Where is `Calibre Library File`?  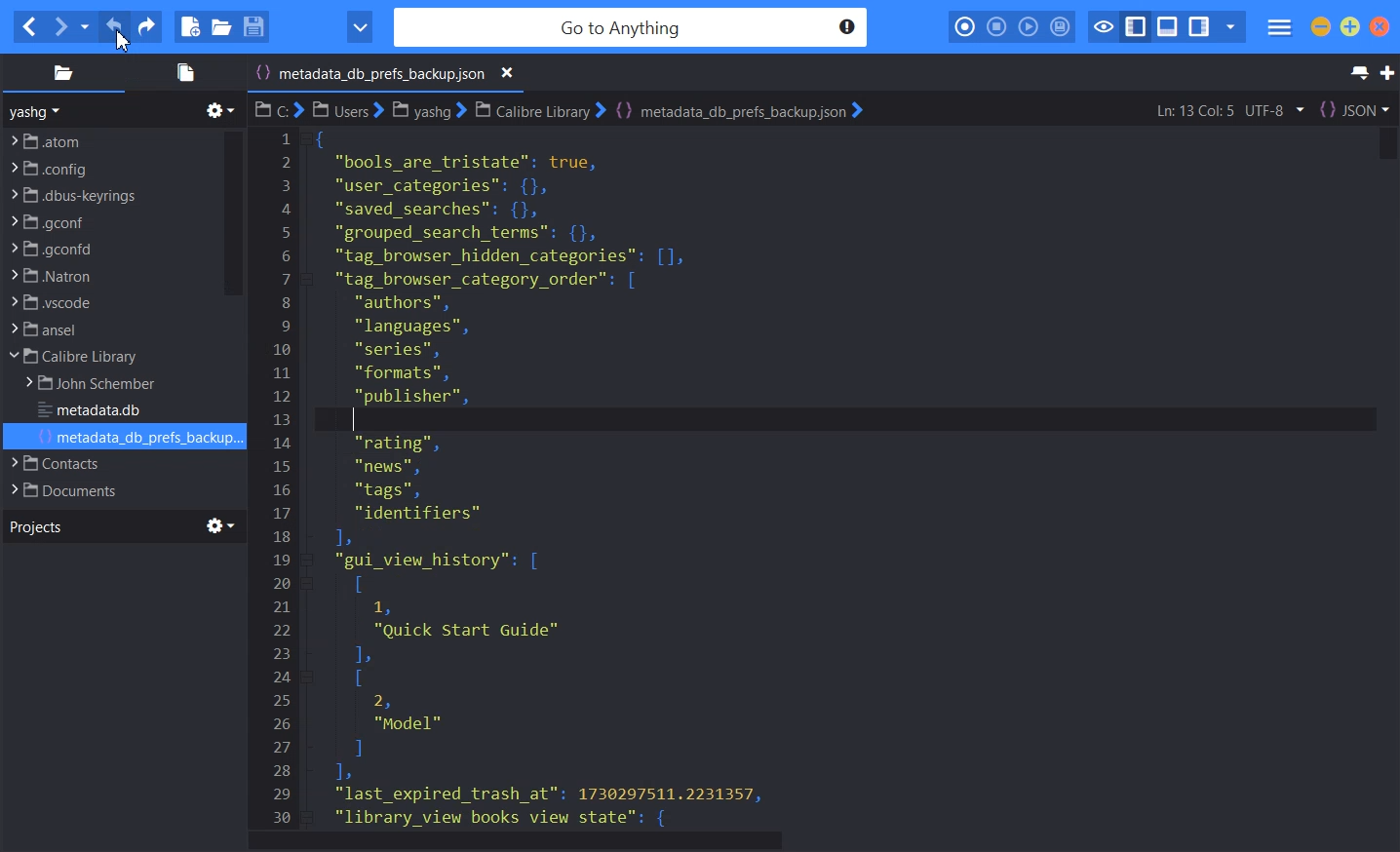
Calibre Library File is located at coordinates (538, 109).